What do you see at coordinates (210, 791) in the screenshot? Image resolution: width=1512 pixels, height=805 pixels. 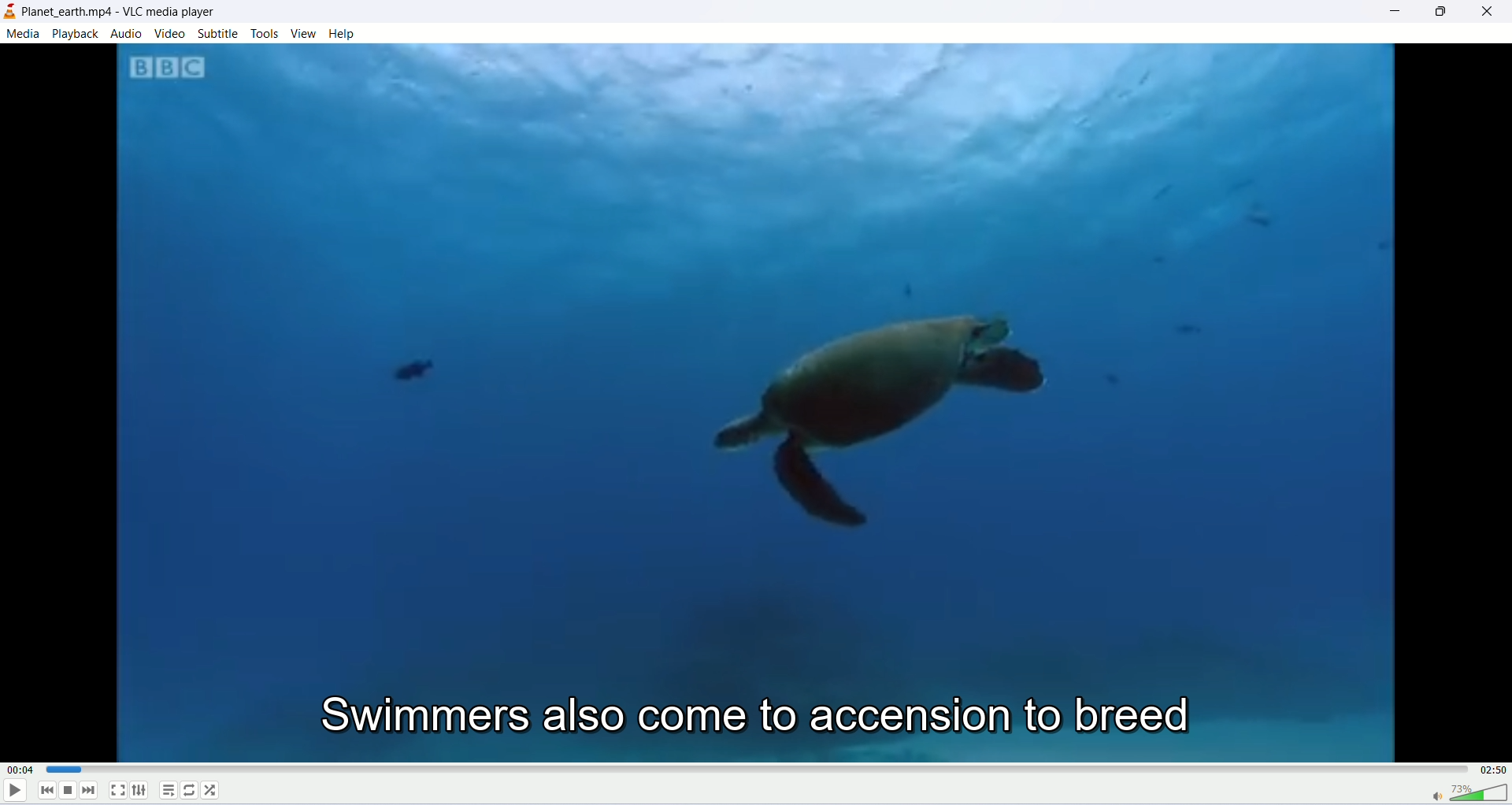 I see `shuffle` at bounding box center [210, 791].